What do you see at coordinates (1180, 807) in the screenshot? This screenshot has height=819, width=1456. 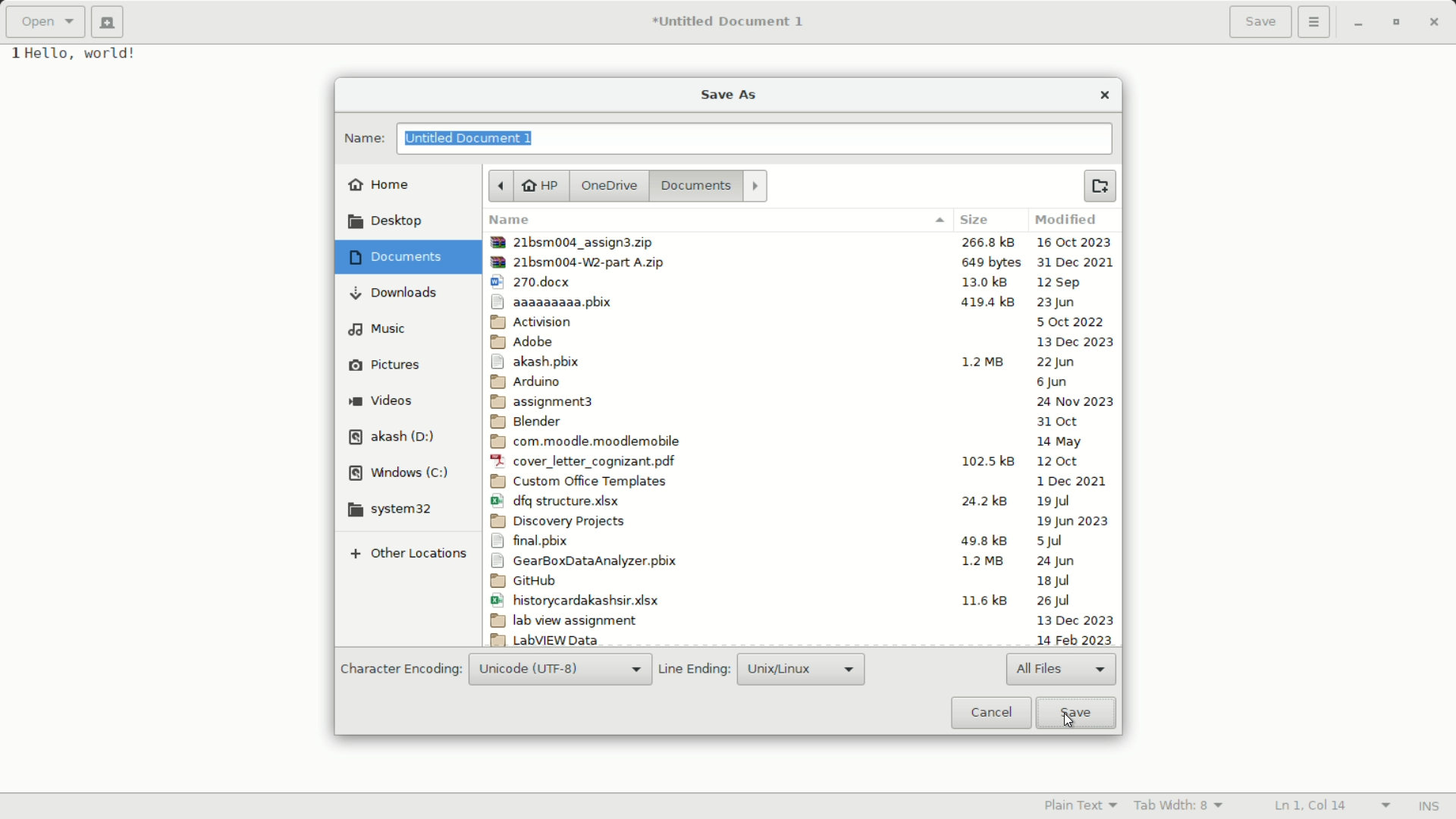 I see `tab width` at bounding box center [1180, 807].